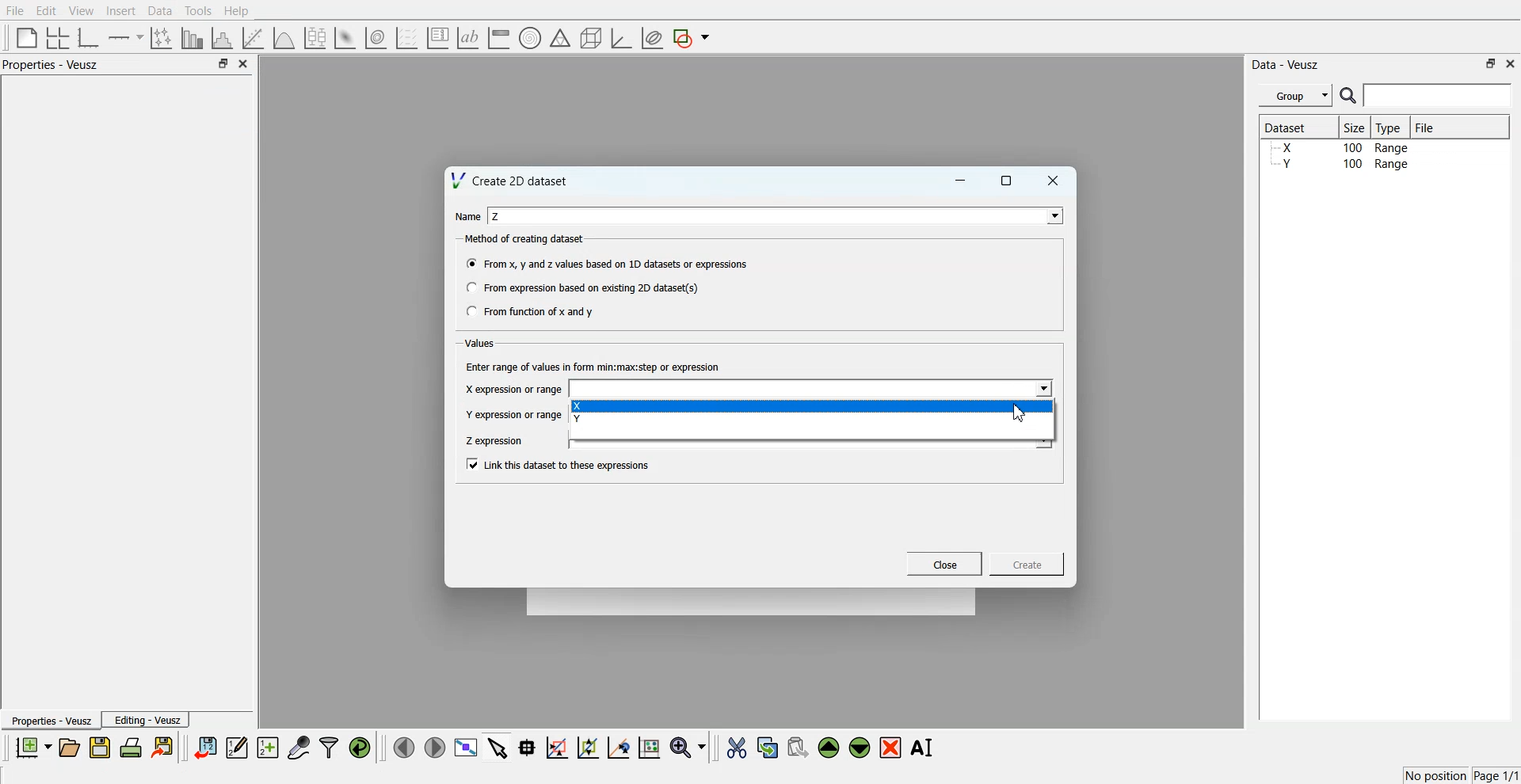 This screenshot has width=1521, height=784. What do you see at coordinates (58, 39) in the screenshot?
I see `Arrange graph in grid` at bounding box center [58, 39].